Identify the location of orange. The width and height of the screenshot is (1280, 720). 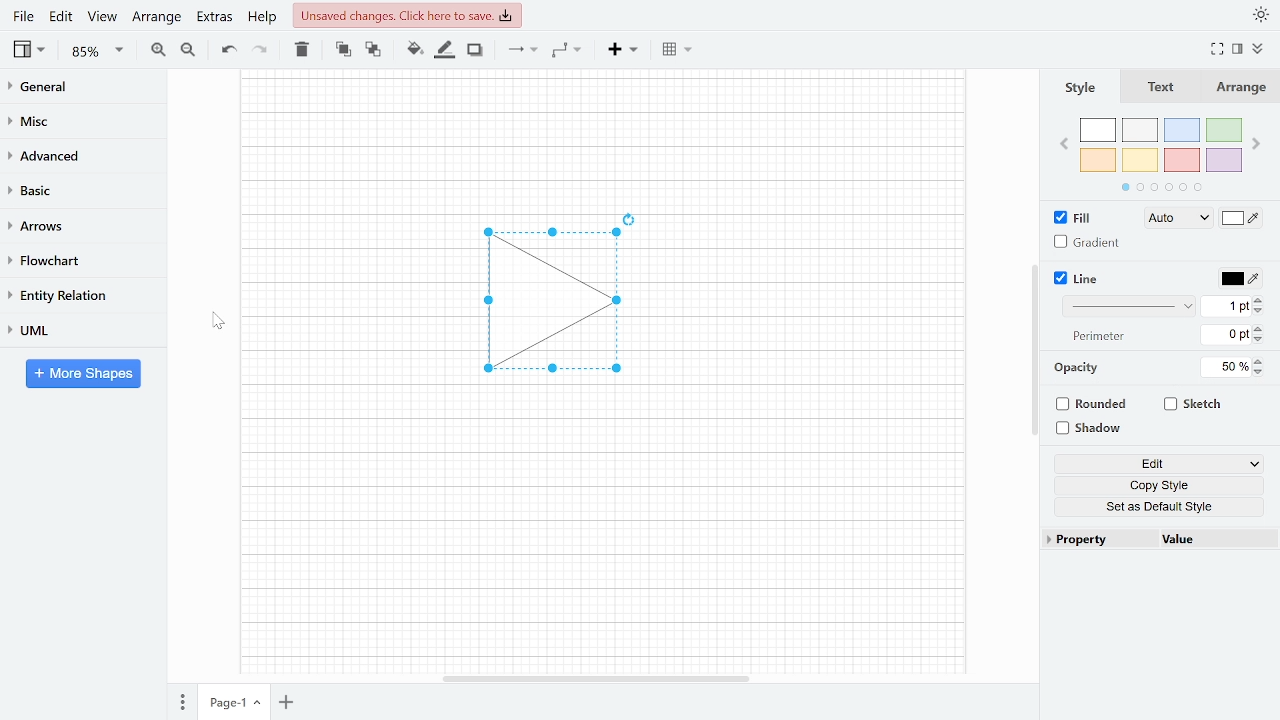
(1098, 160).